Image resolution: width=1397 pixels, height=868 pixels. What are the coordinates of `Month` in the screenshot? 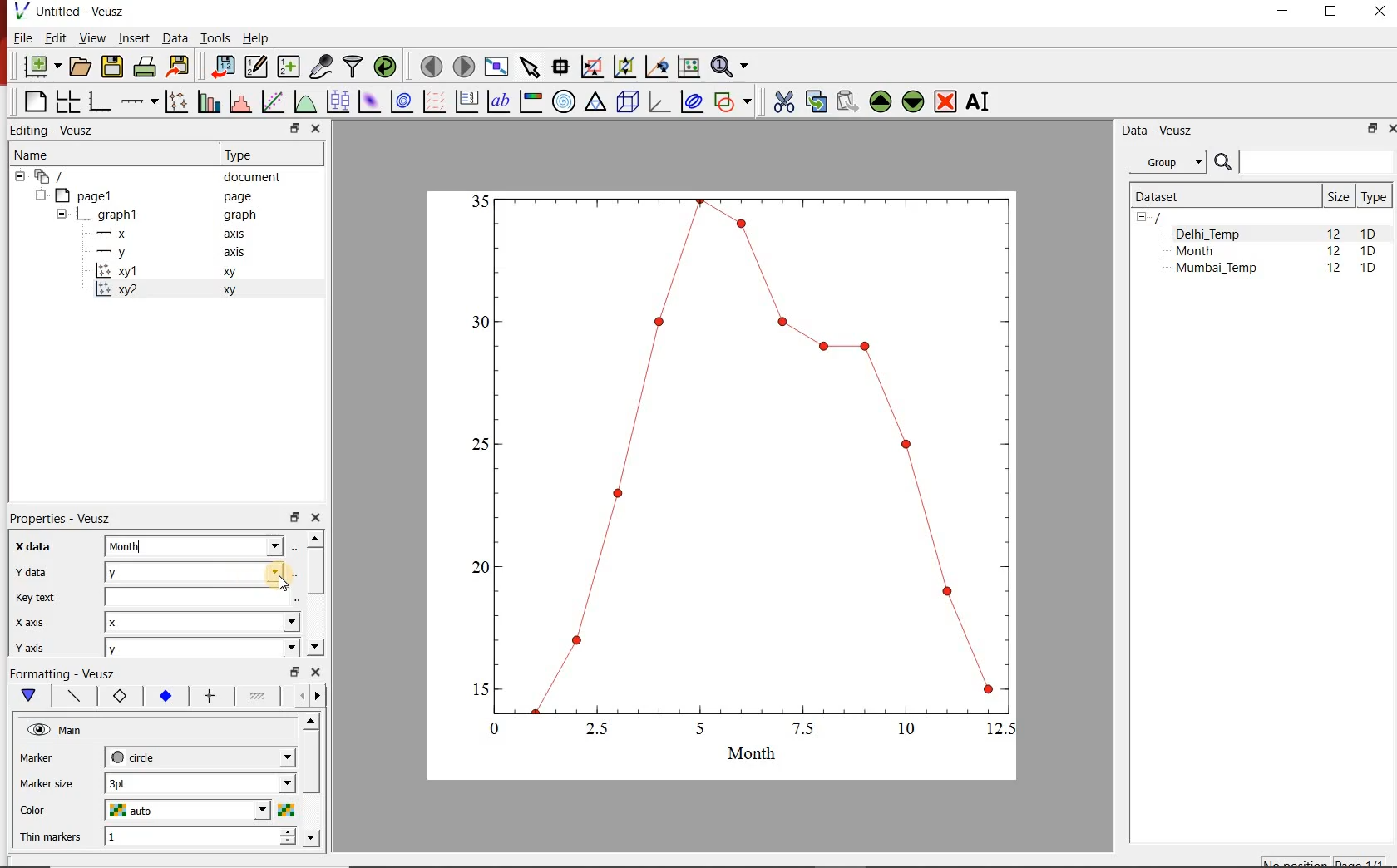 It's located at (1207, 251).